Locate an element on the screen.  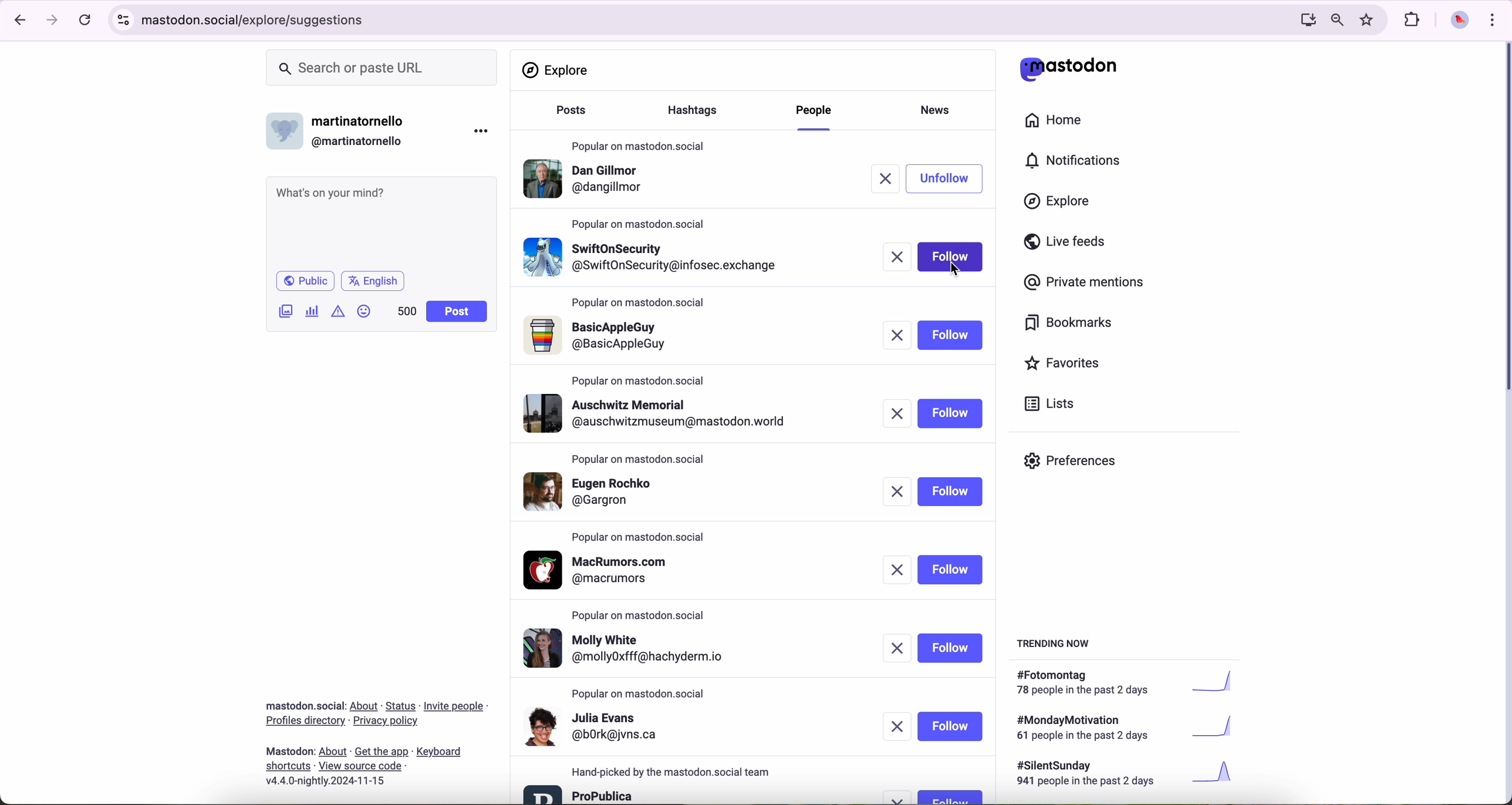
extensions is located at coordinates (1413, 20).